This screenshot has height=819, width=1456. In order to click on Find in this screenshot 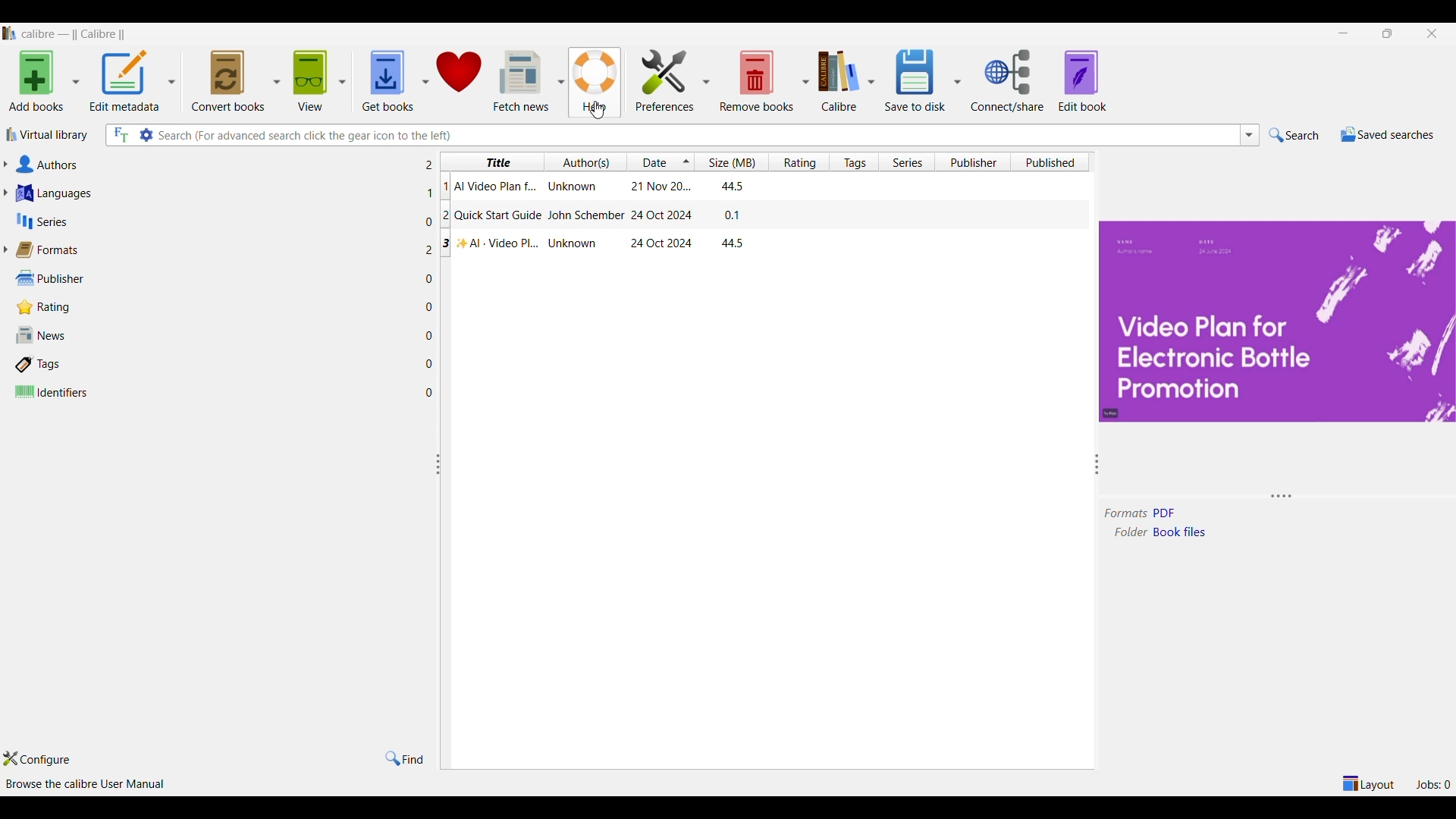, I will do `click(404, 759)`.